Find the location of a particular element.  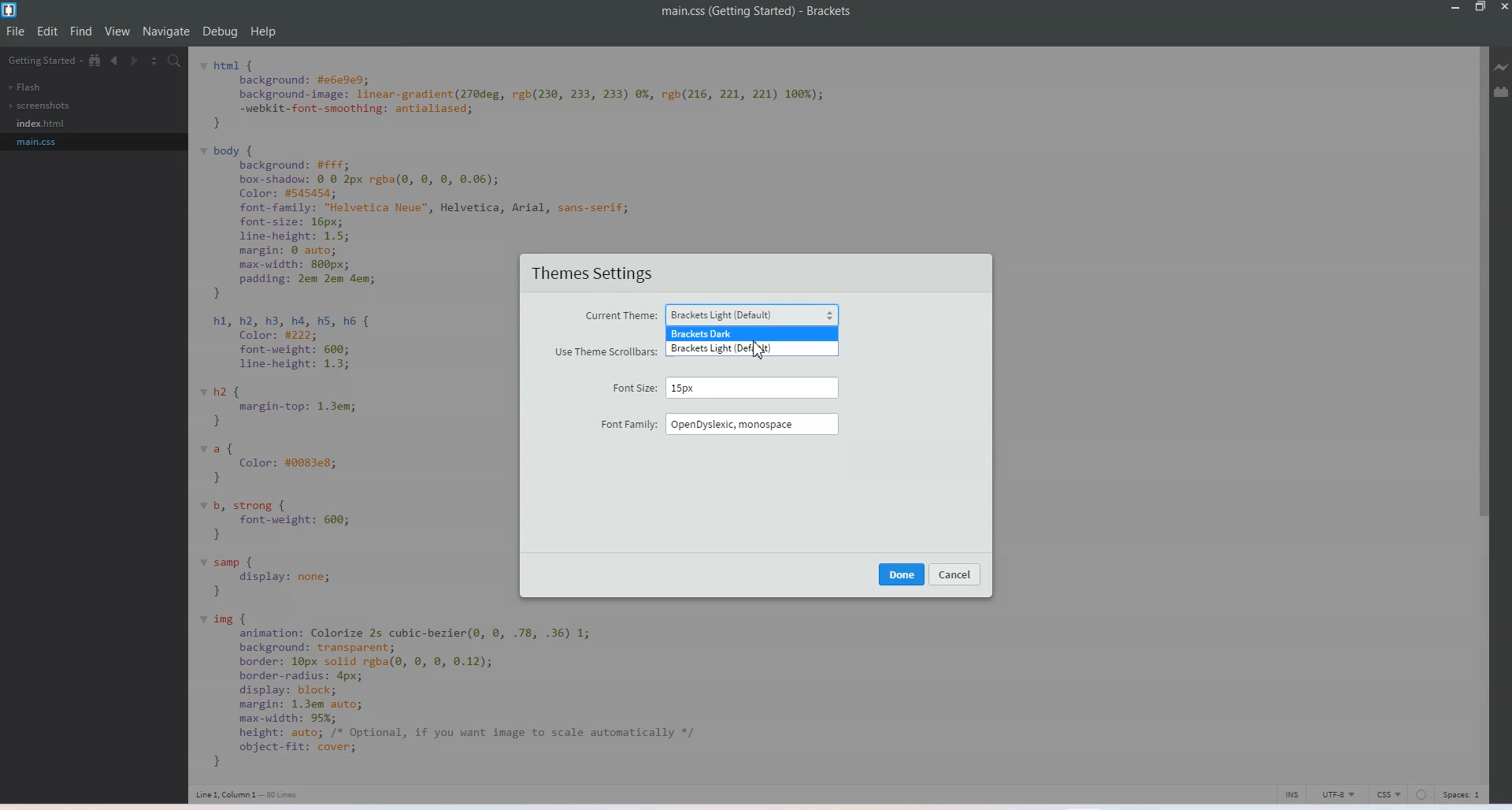

Find is located at coordinates (81, 31).